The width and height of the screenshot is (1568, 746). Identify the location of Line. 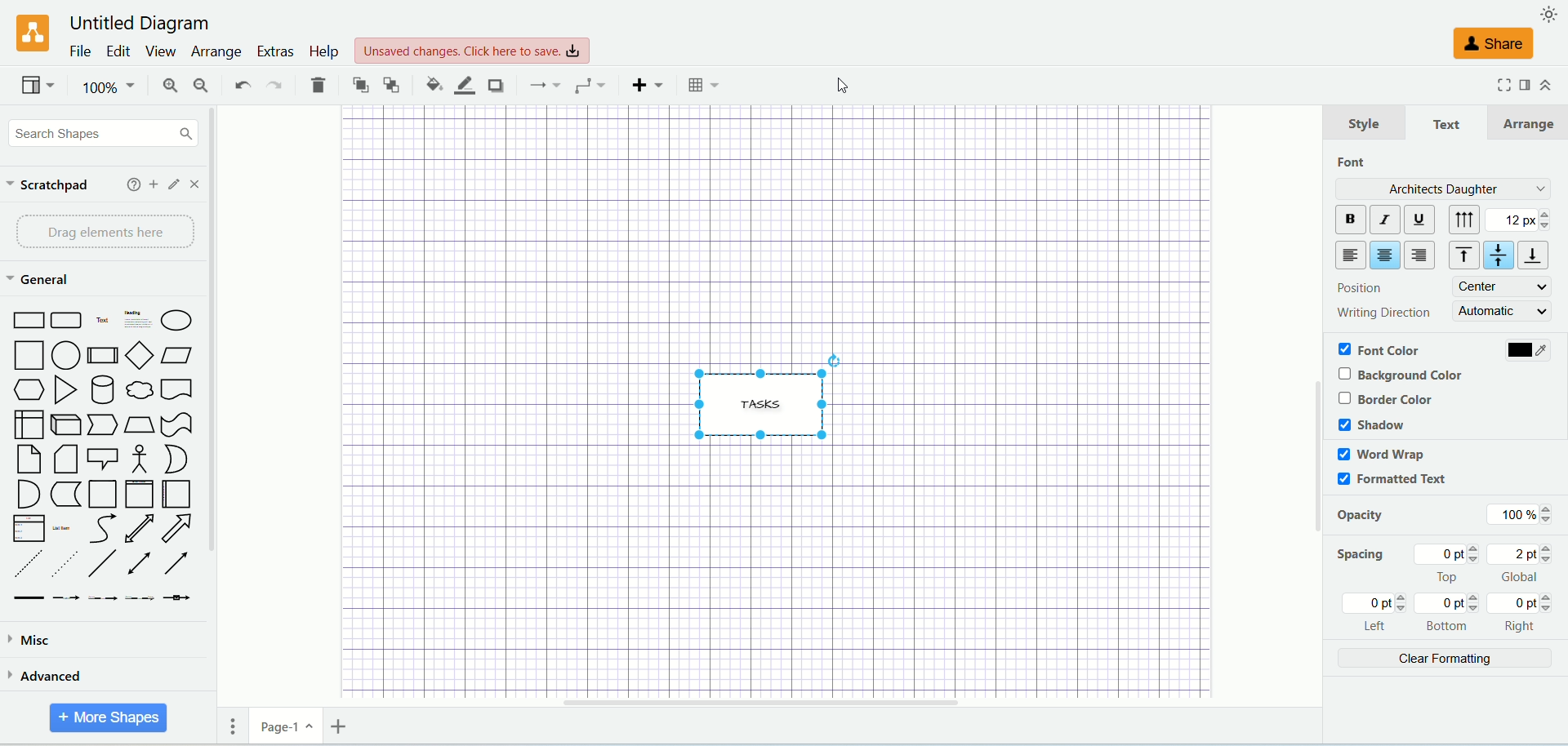
(104, 565).